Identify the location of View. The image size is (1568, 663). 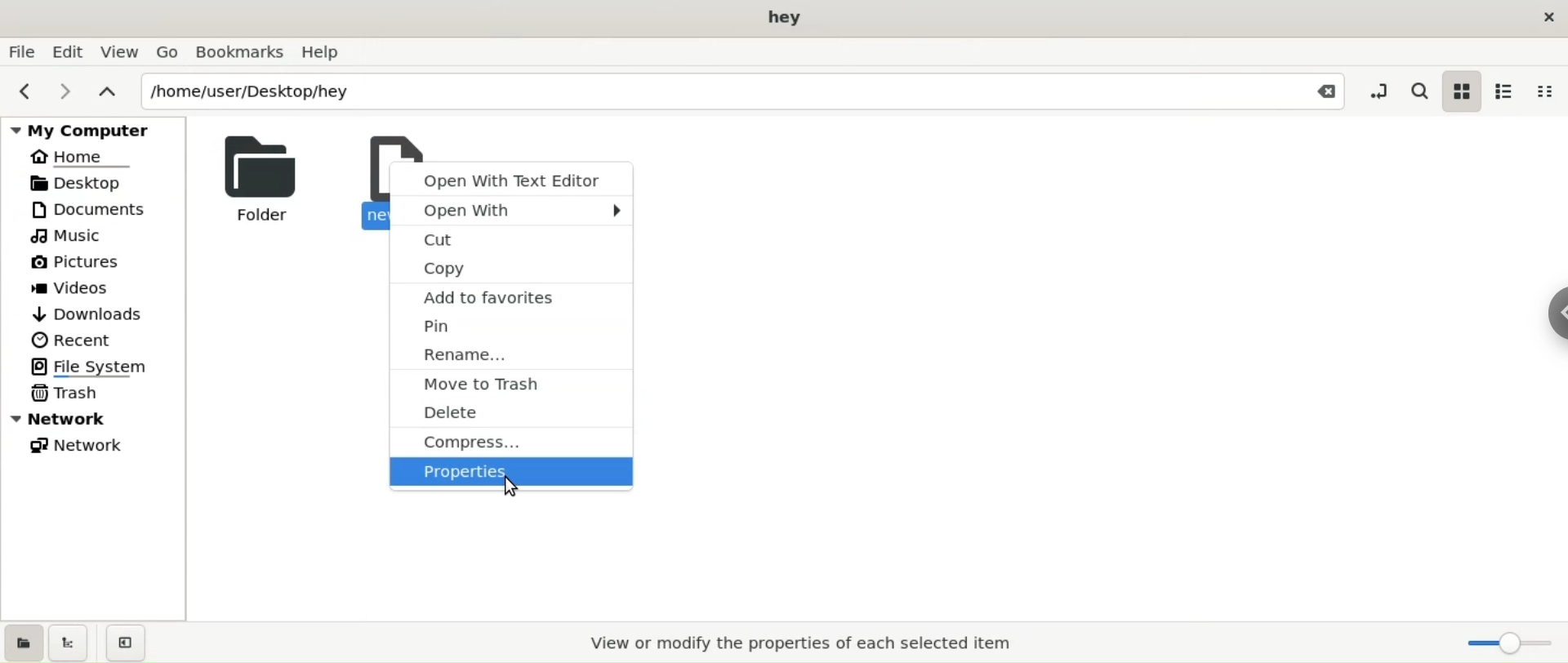
(120, 52).